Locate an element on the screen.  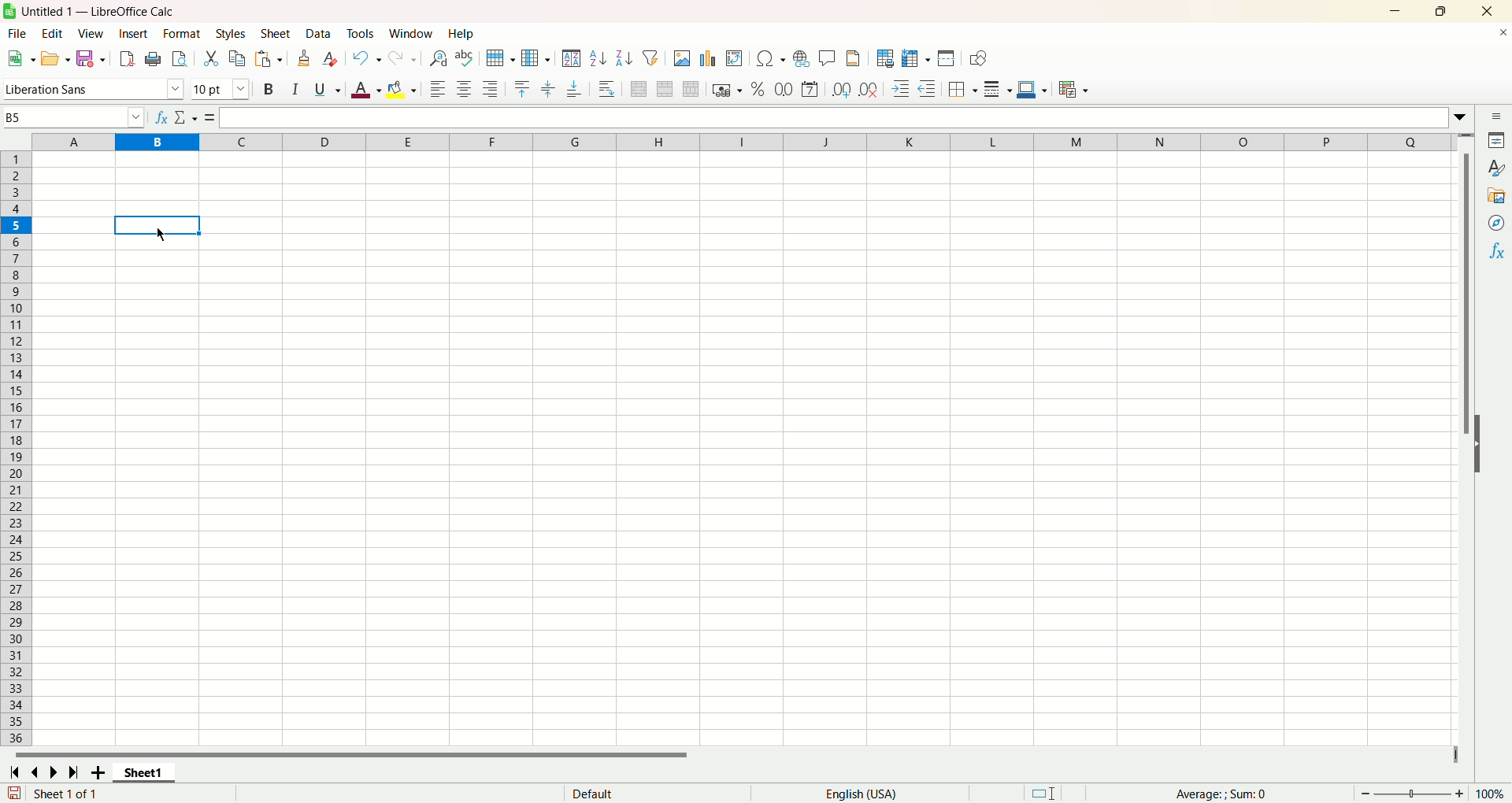
function wizard is located at coordinates (161, 115).